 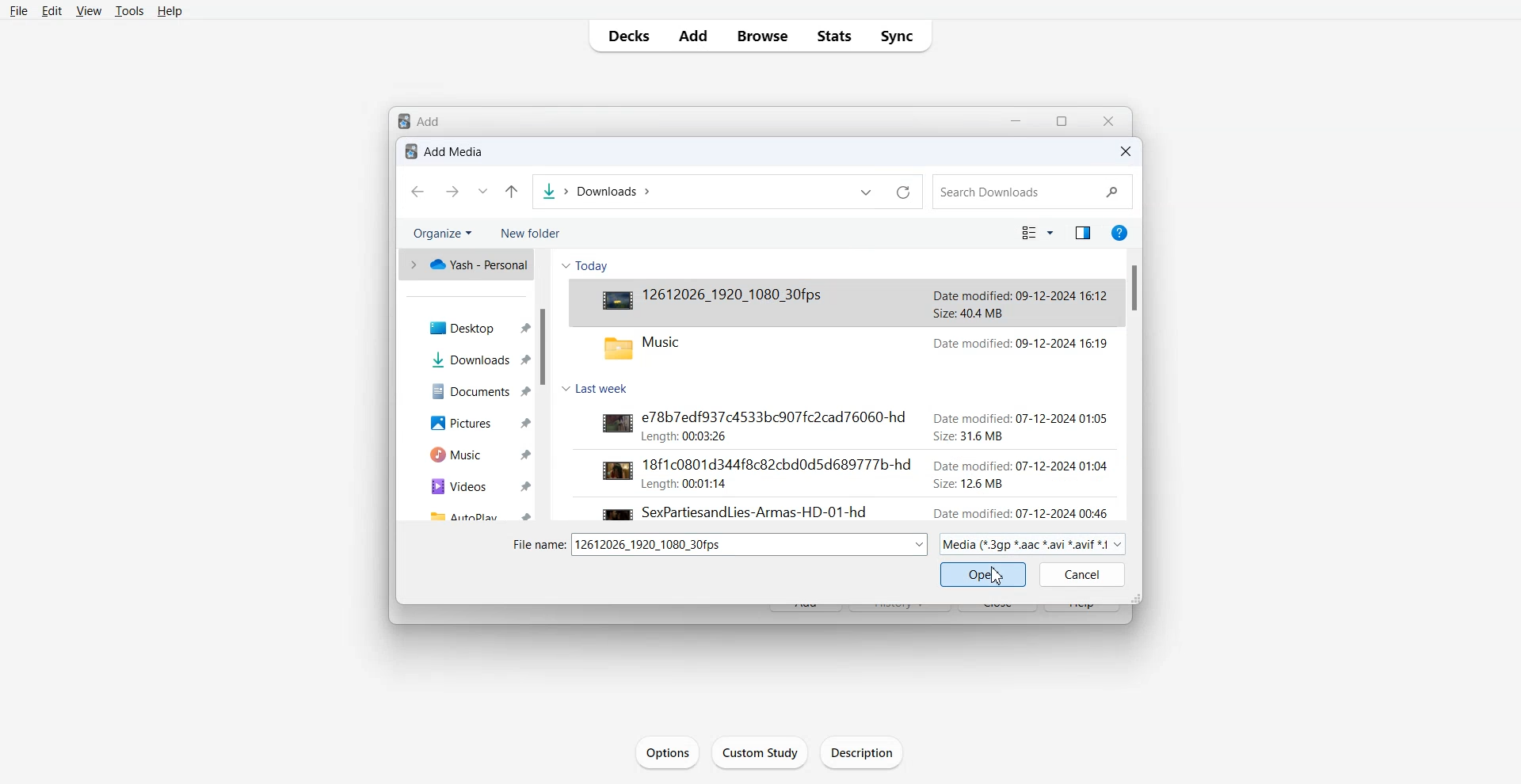 What do you see at coordinates (437, 233) in the screenshot?
I see `Organize` at bounding box center [437, 233].